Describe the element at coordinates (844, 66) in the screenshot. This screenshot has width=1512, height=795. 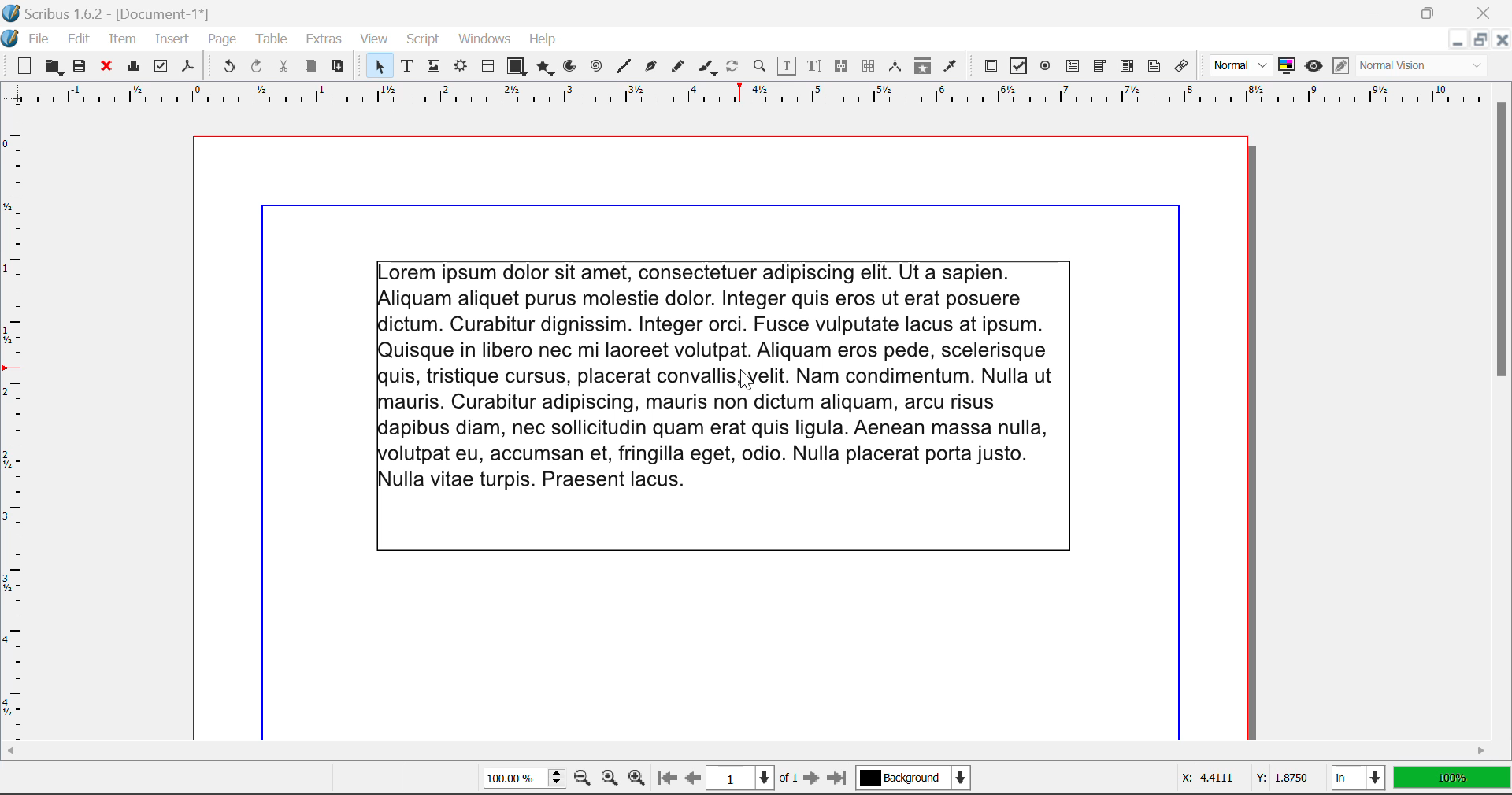
I see `Link Frames` at that location.